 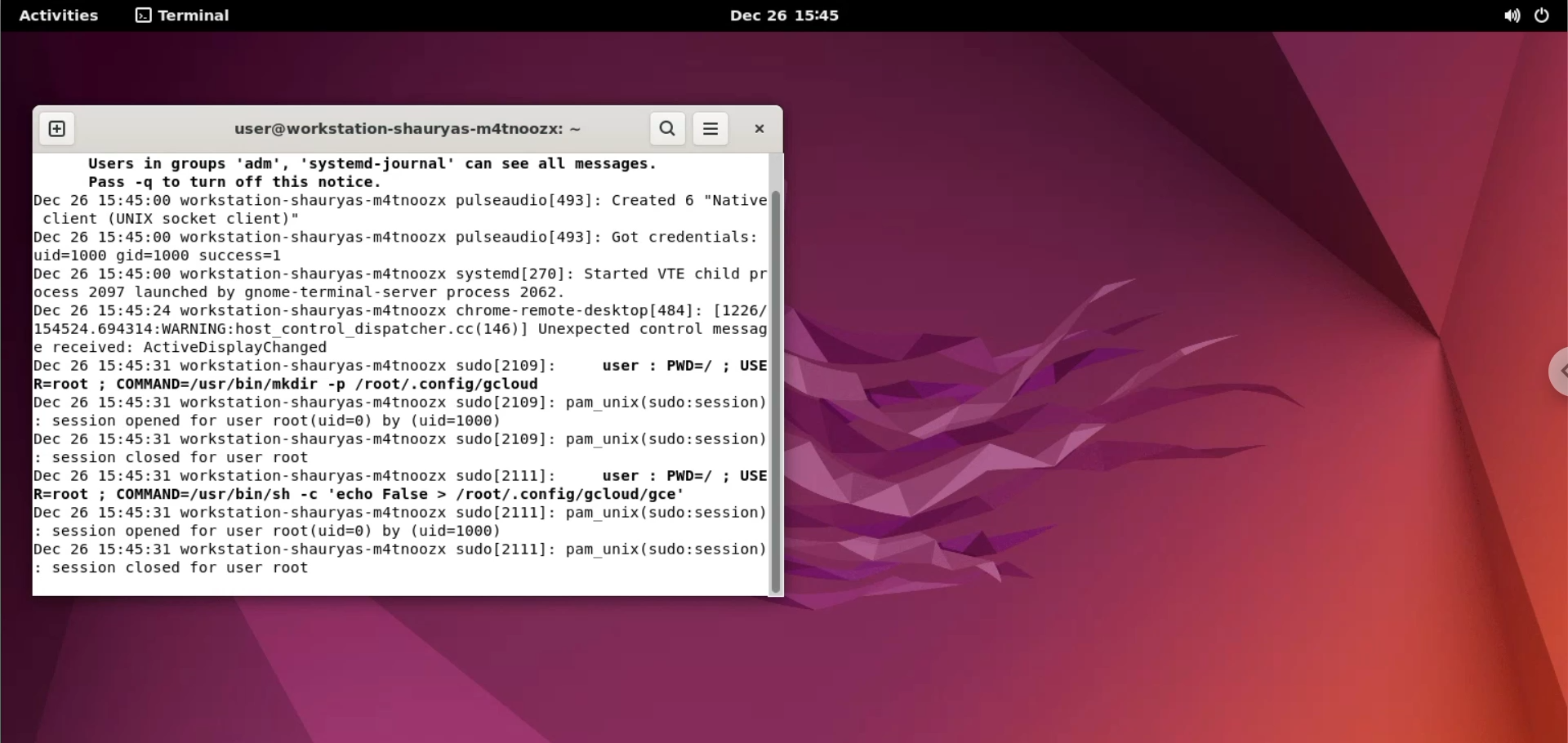 I want to click on sound options, so click(x=1510, y=17).